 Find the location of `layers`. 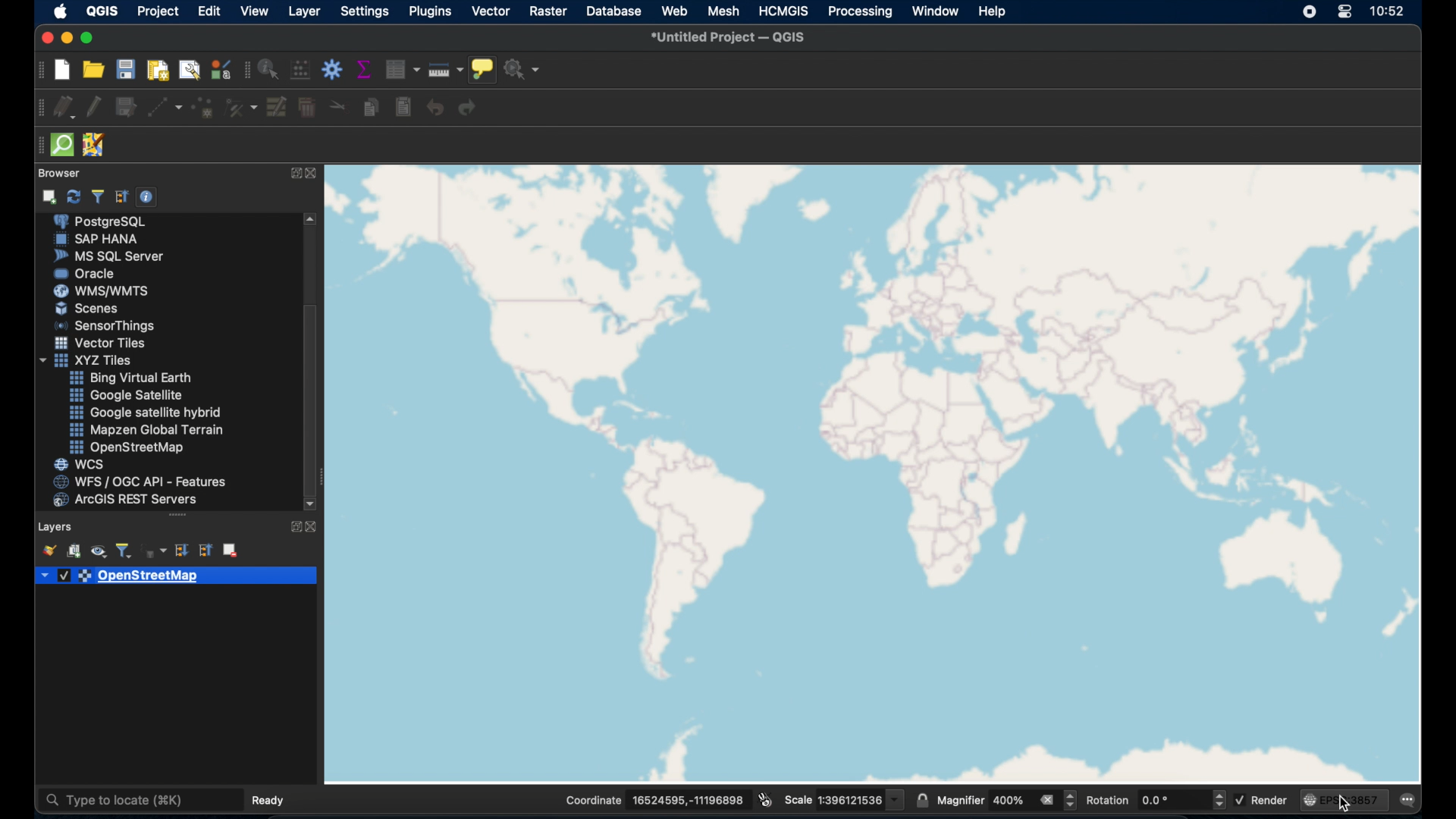

layers is located at coordinates (57, 525).